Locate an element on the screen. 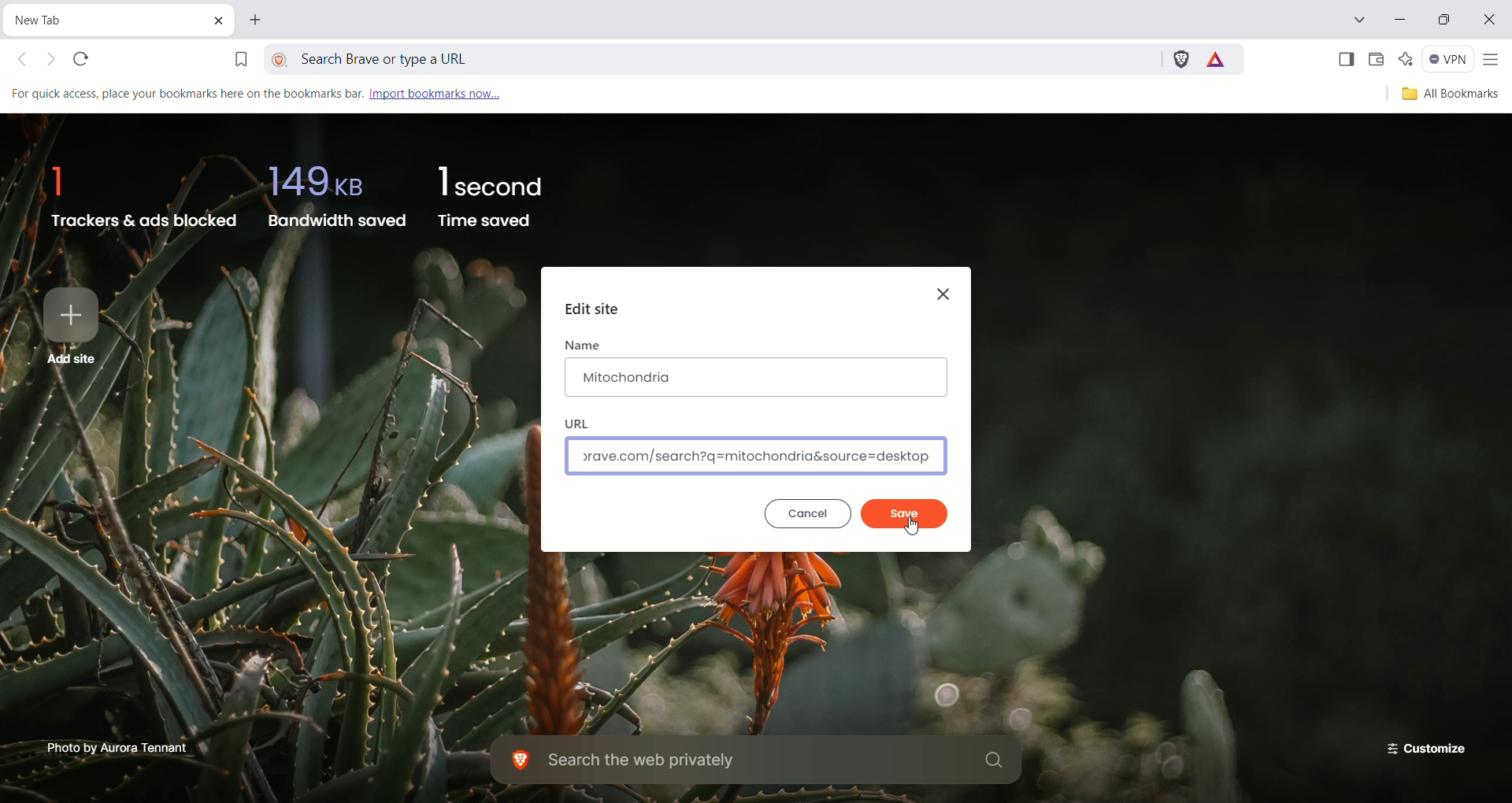 The image size is (1512, 803). close current tab is located at coordinates (223, 20).